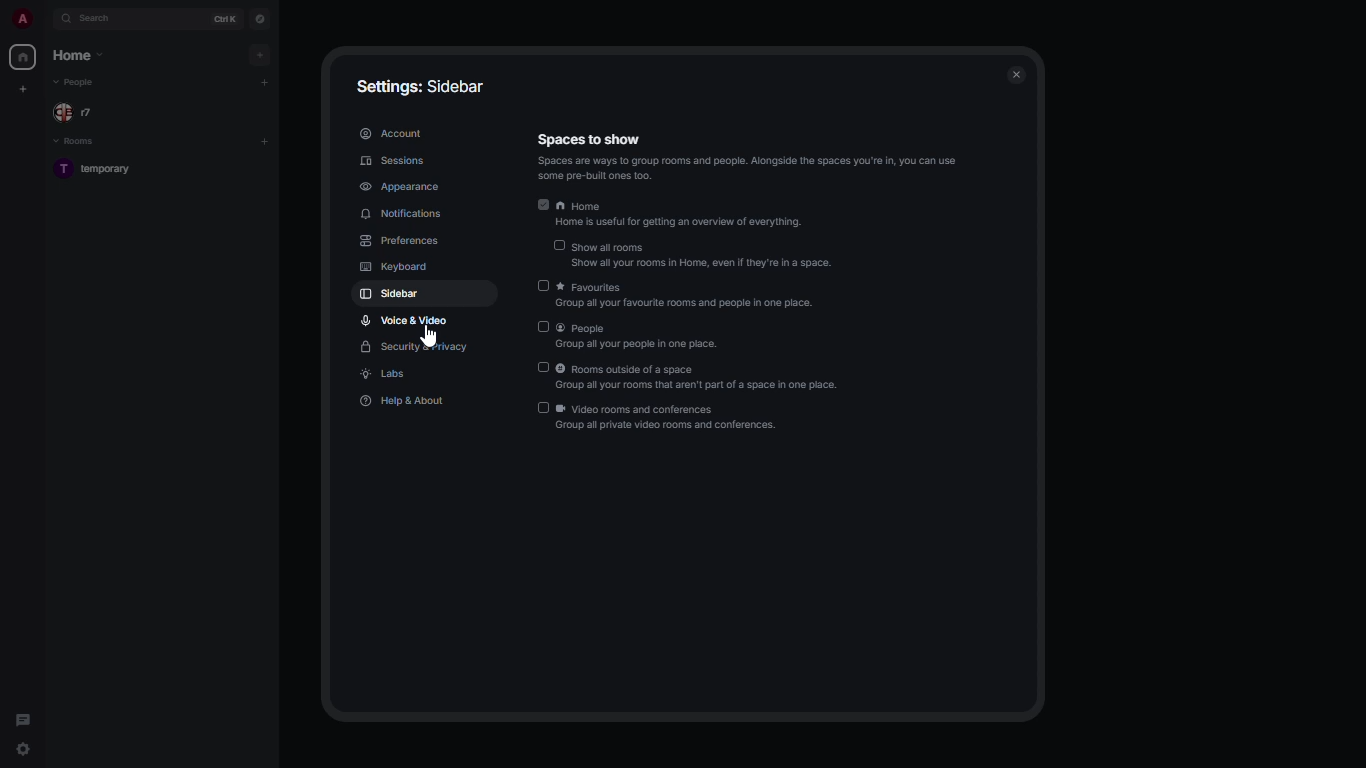 The width and height of the screenshot is (1366, 768). I want to click on security & privacy, so click(417, 347).